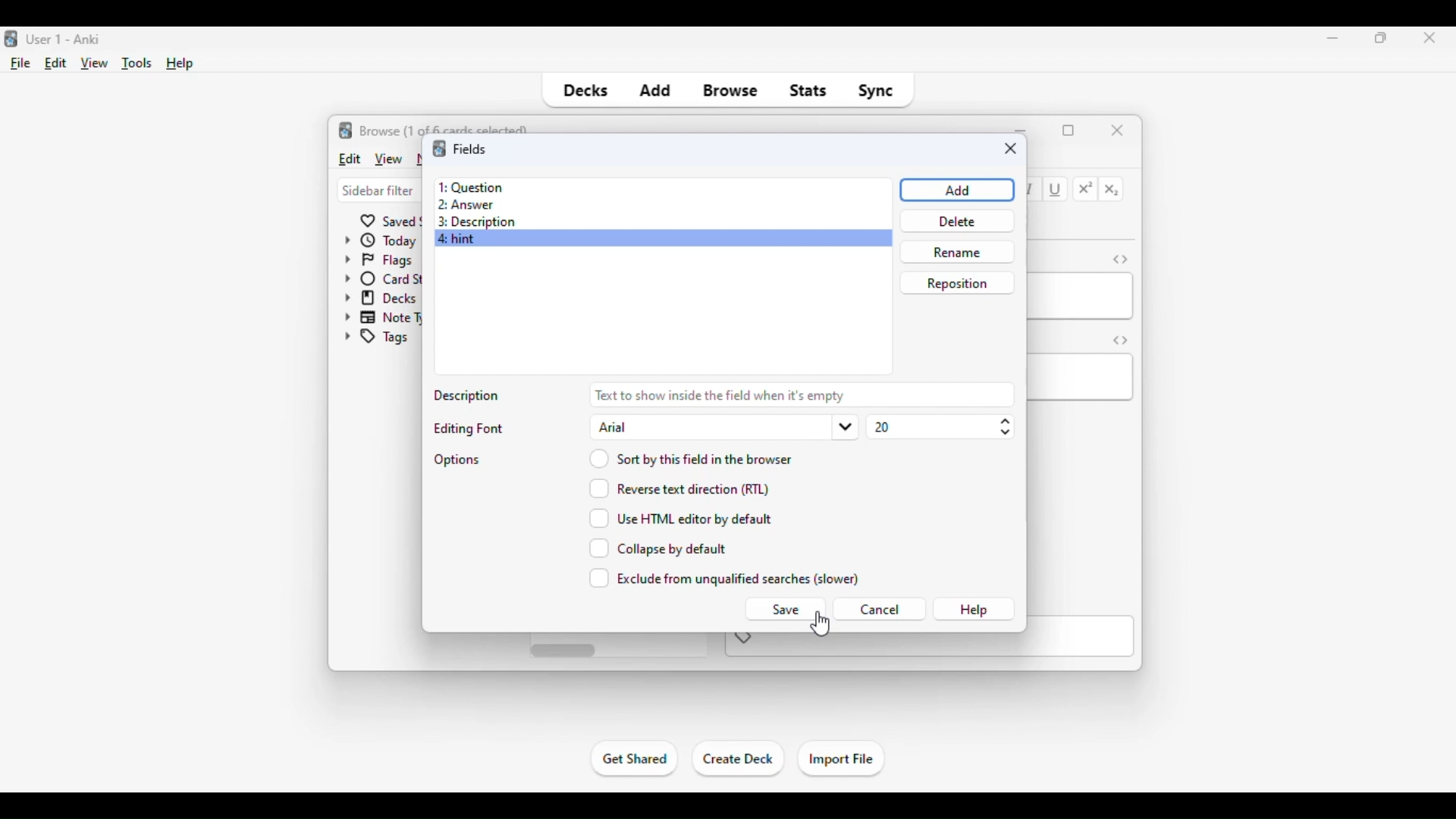 This screenshot has height=819, width=1456. What do you see at coordinates (940, 427) in the screenshot?
I see `20` at bounding box center [940, 427].